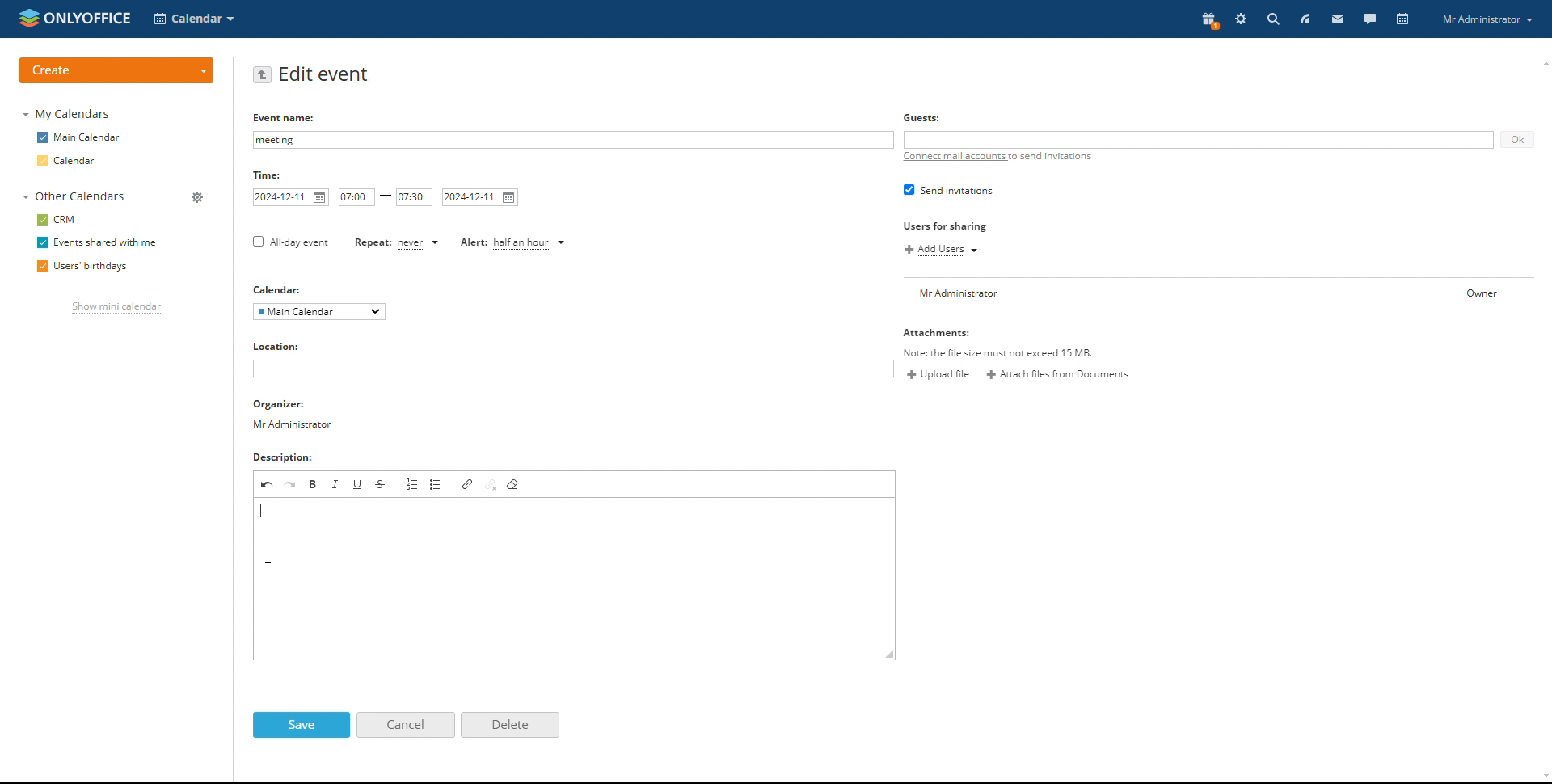 This screenshot has width=1552, height=784. What do you see at coordinates (479, 197) in the screenshot?
I see `end date` at bounding box center [479, 197].